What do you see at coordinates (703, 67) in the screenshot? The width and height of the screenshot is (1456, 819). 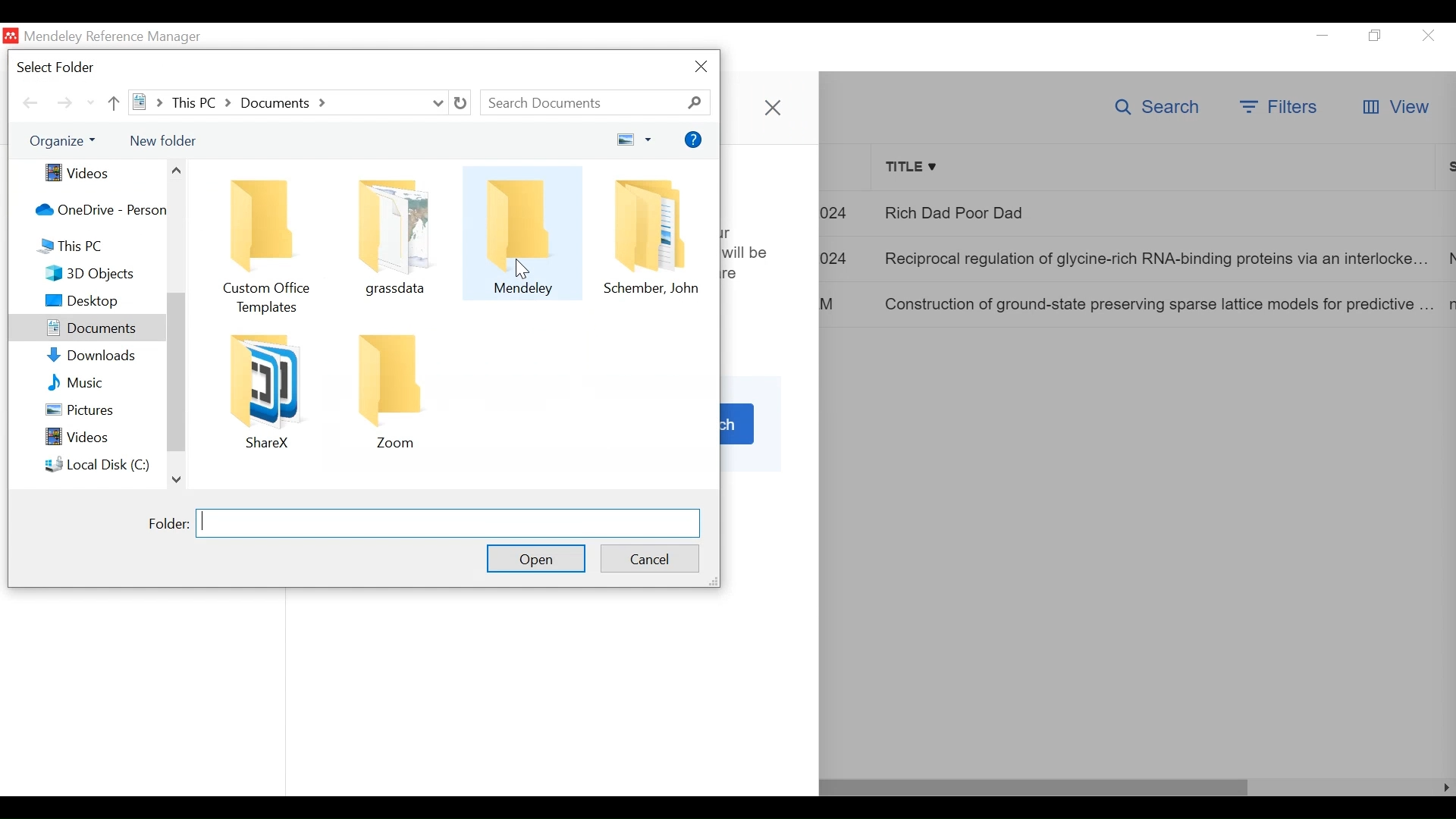 I see `Close` at bounding box center [703, 67].